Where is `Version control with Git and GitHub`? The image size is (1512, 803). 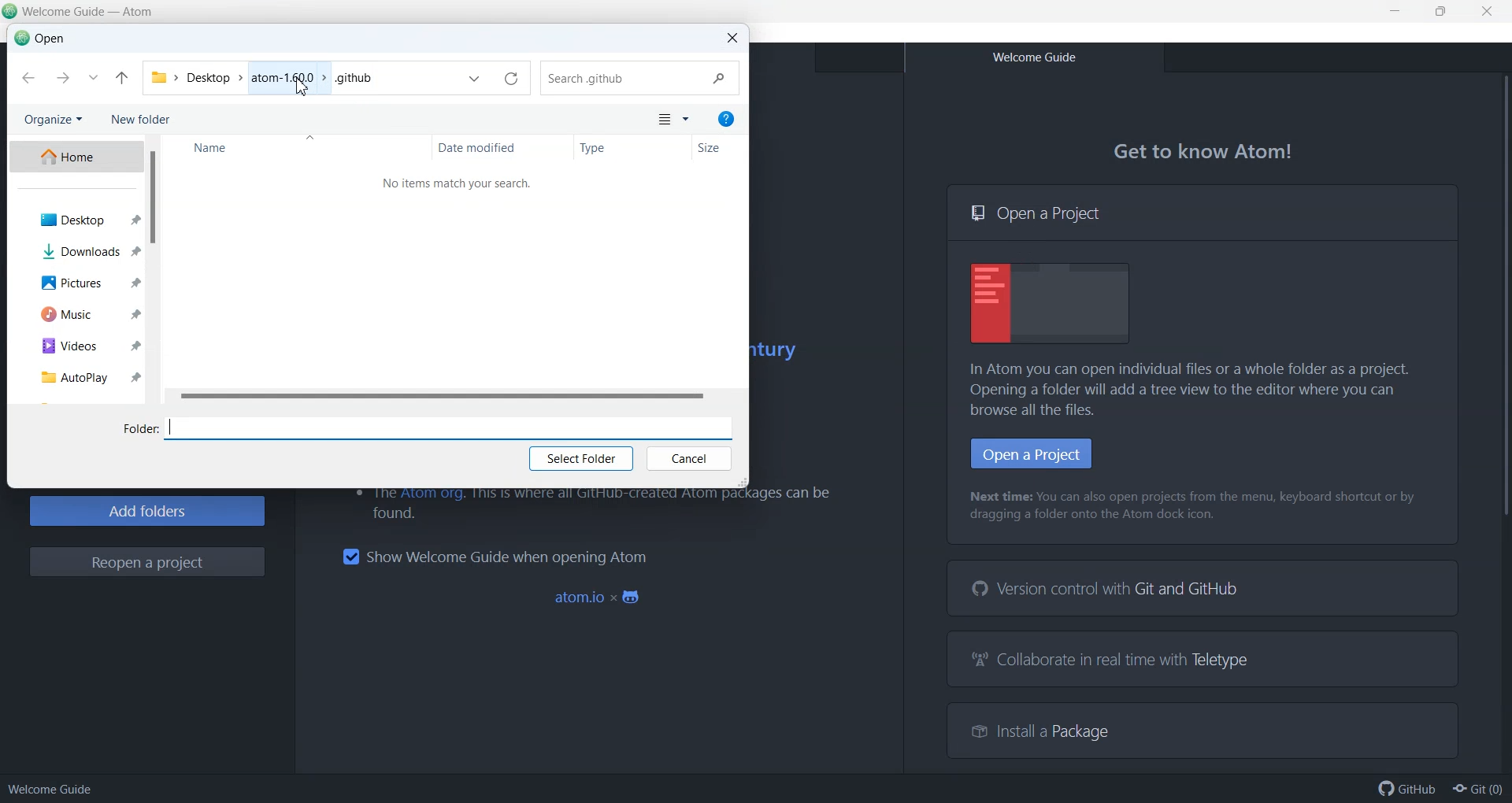 Version control with Git and GitHub is located at coordinates (1109, 589).